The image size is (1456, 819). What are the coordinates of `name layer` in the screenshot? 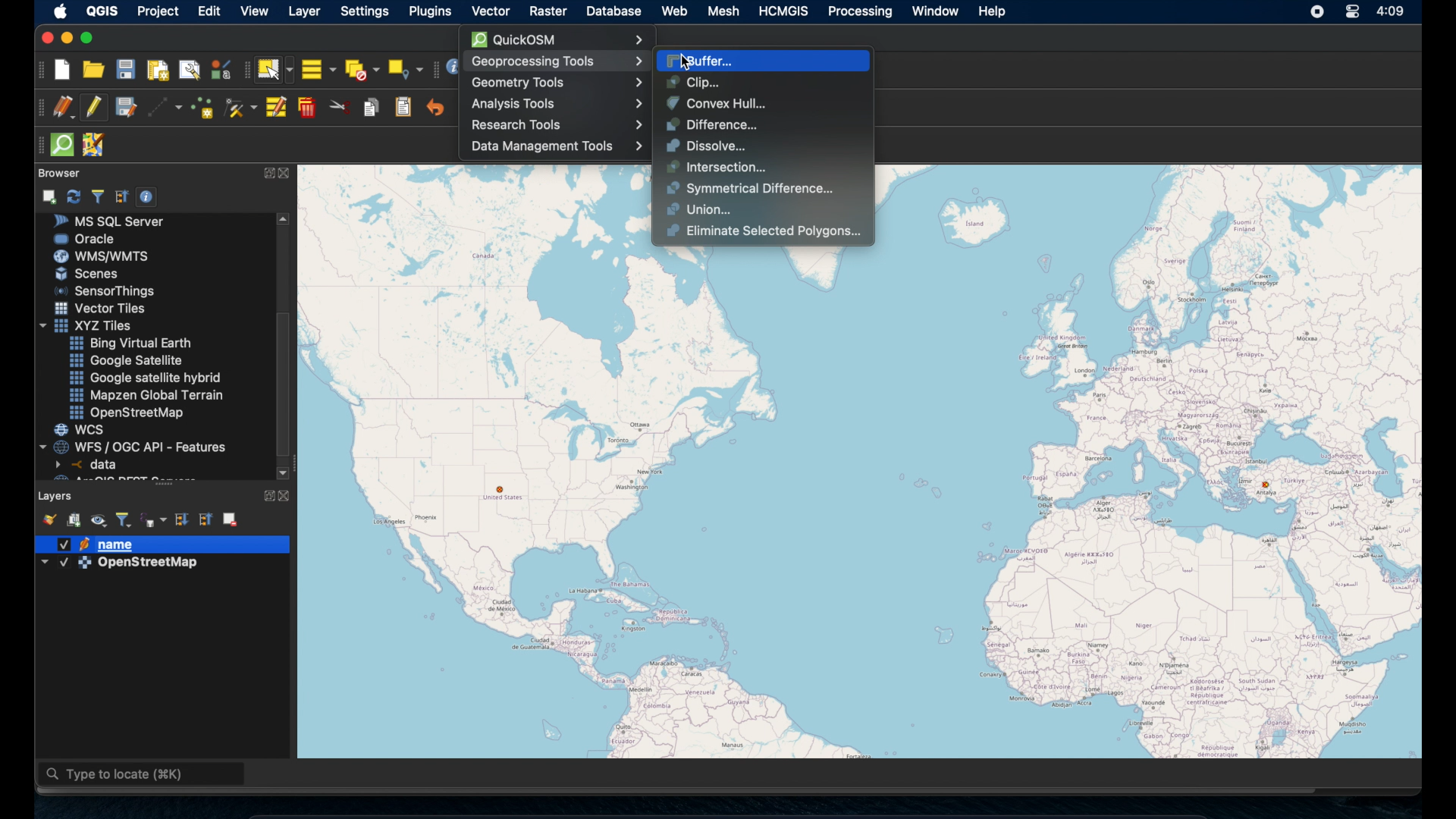 It's located at (102, 544).